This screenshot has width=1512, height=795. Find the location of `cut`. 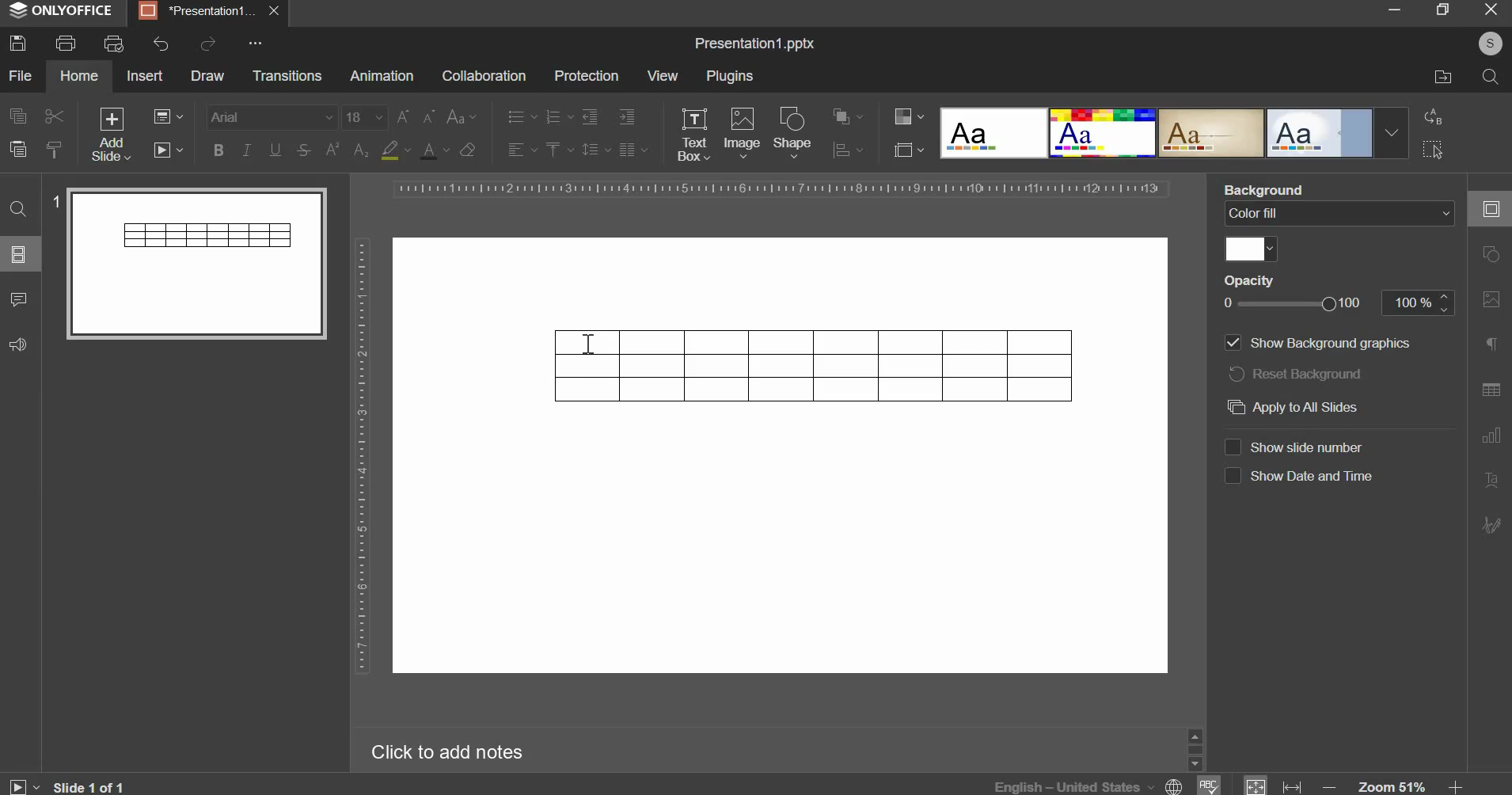

cut is located at coordinates (53, 117).